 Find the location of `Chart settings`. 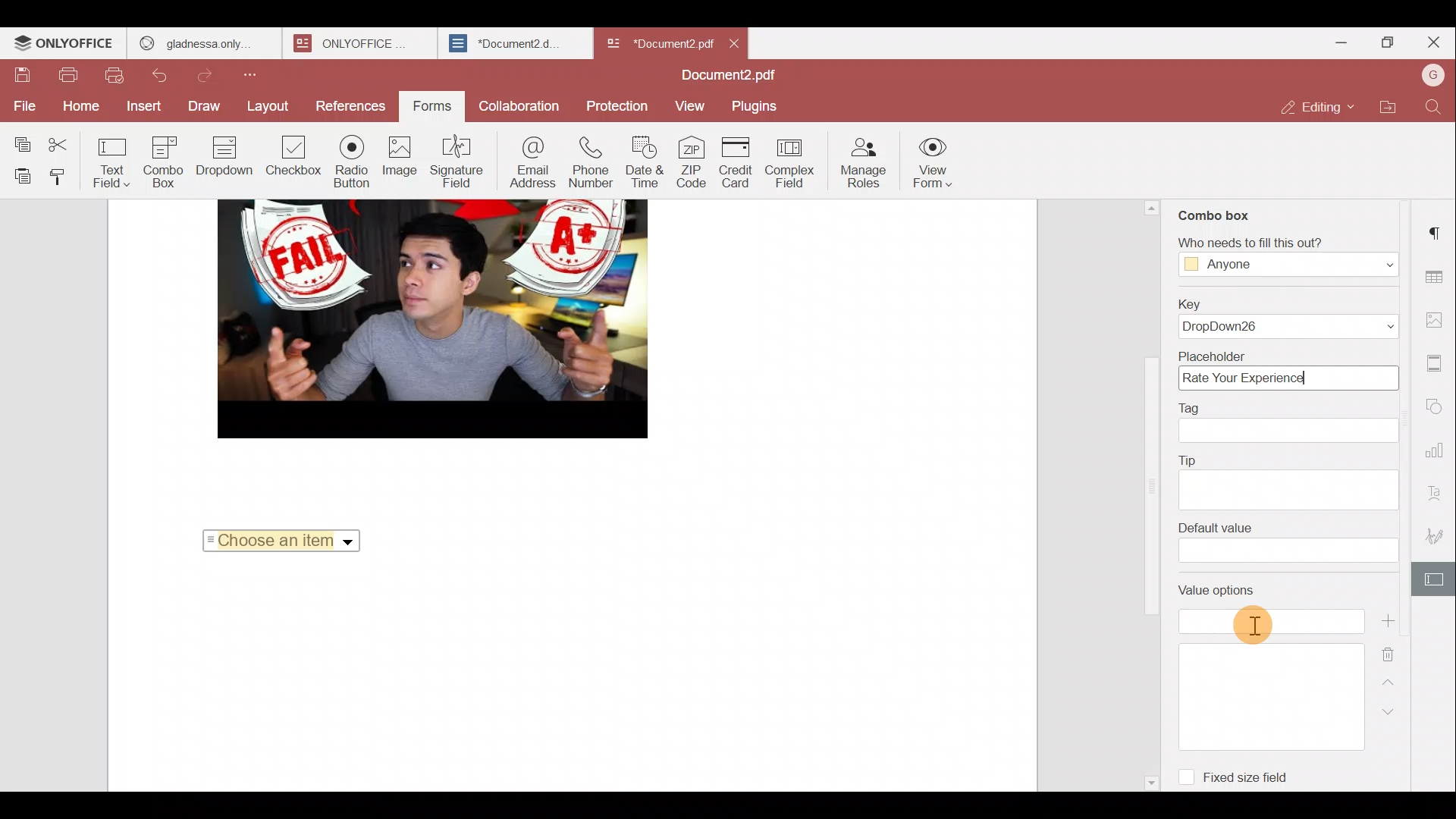

Chart settings is located at coordinates (1439, 452).